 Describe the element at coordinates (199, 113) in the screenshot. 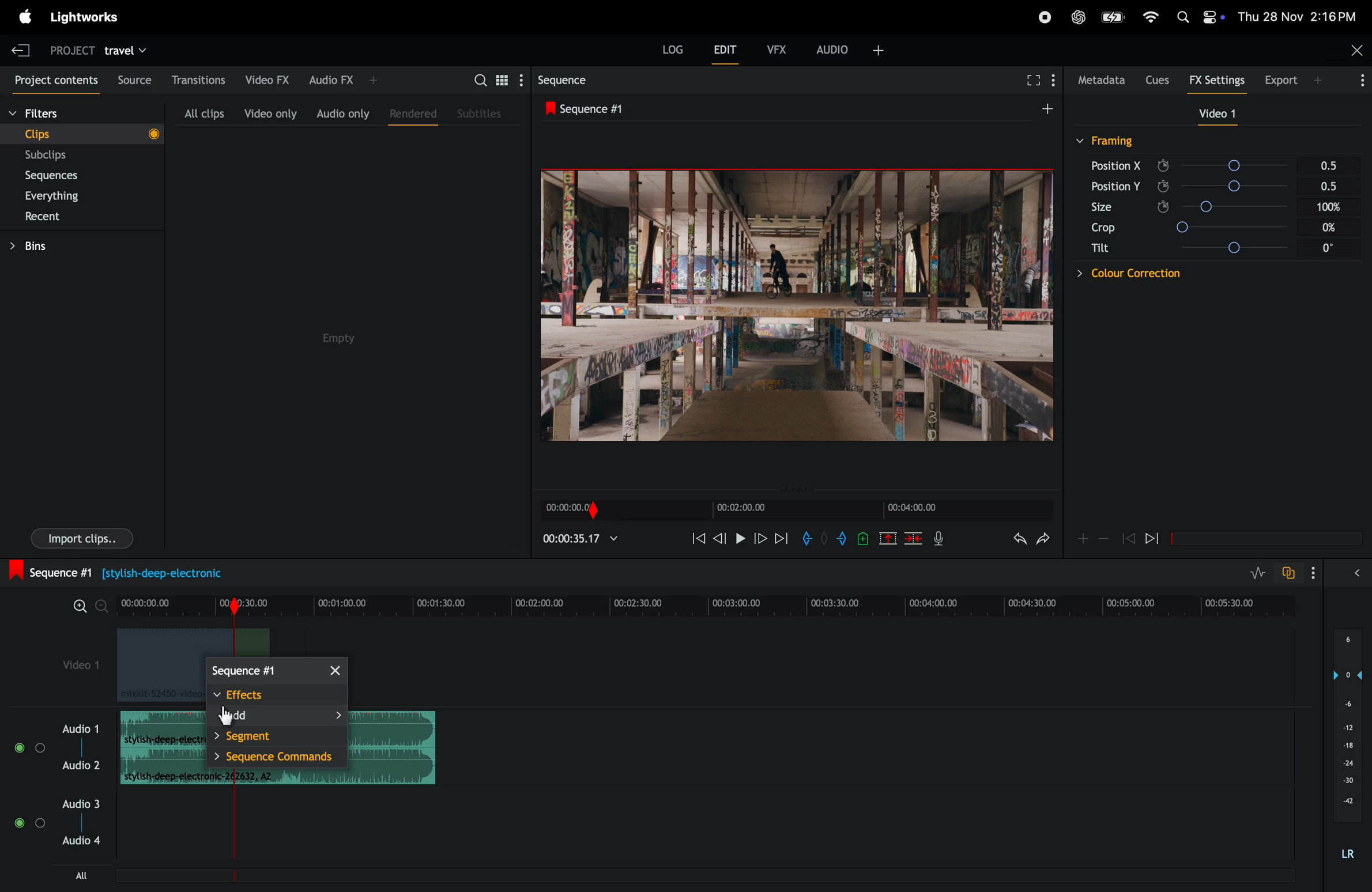

I see `all clips` at that location.